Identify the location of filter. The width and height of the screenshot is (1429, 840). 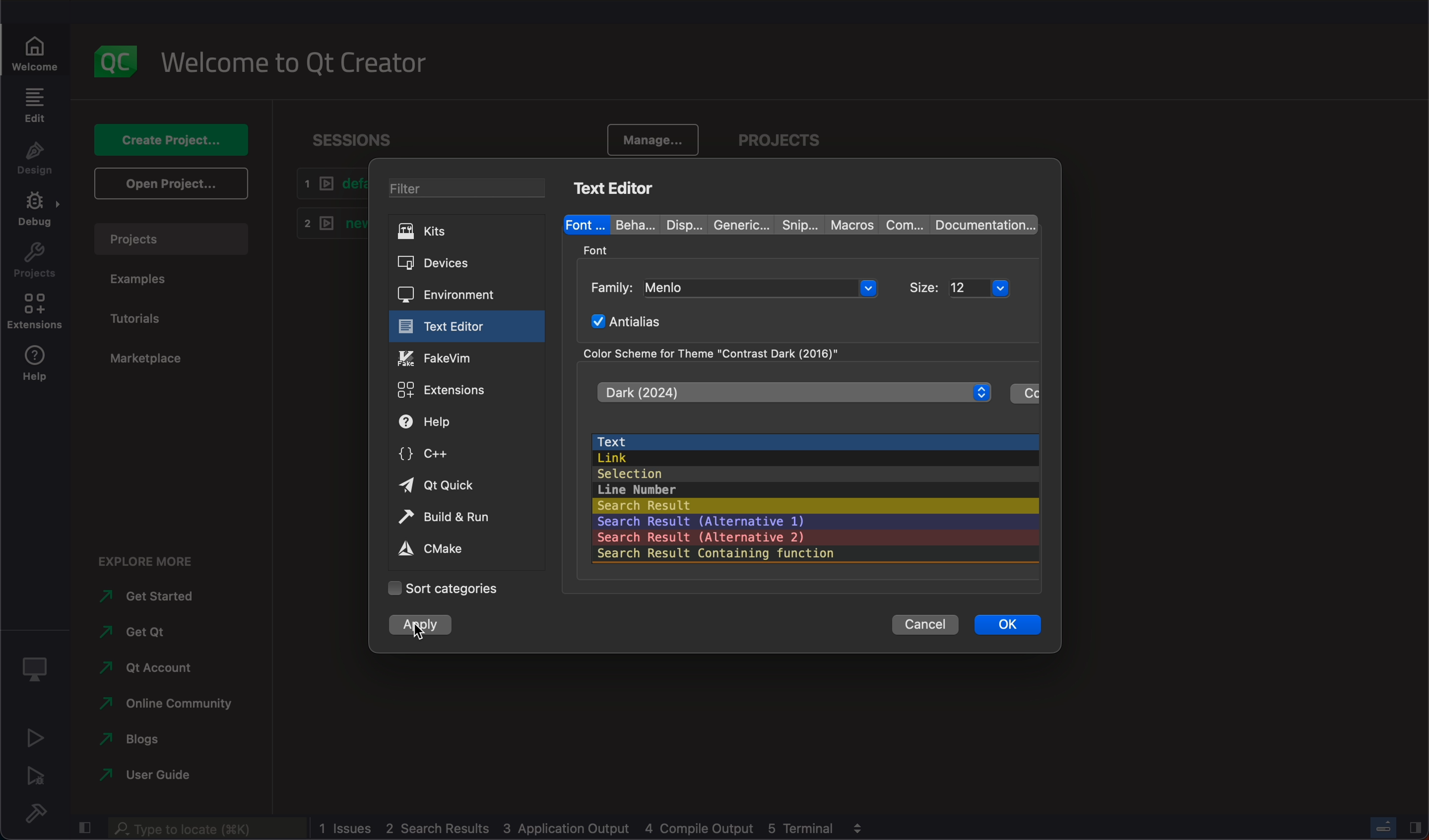
(475, 190).